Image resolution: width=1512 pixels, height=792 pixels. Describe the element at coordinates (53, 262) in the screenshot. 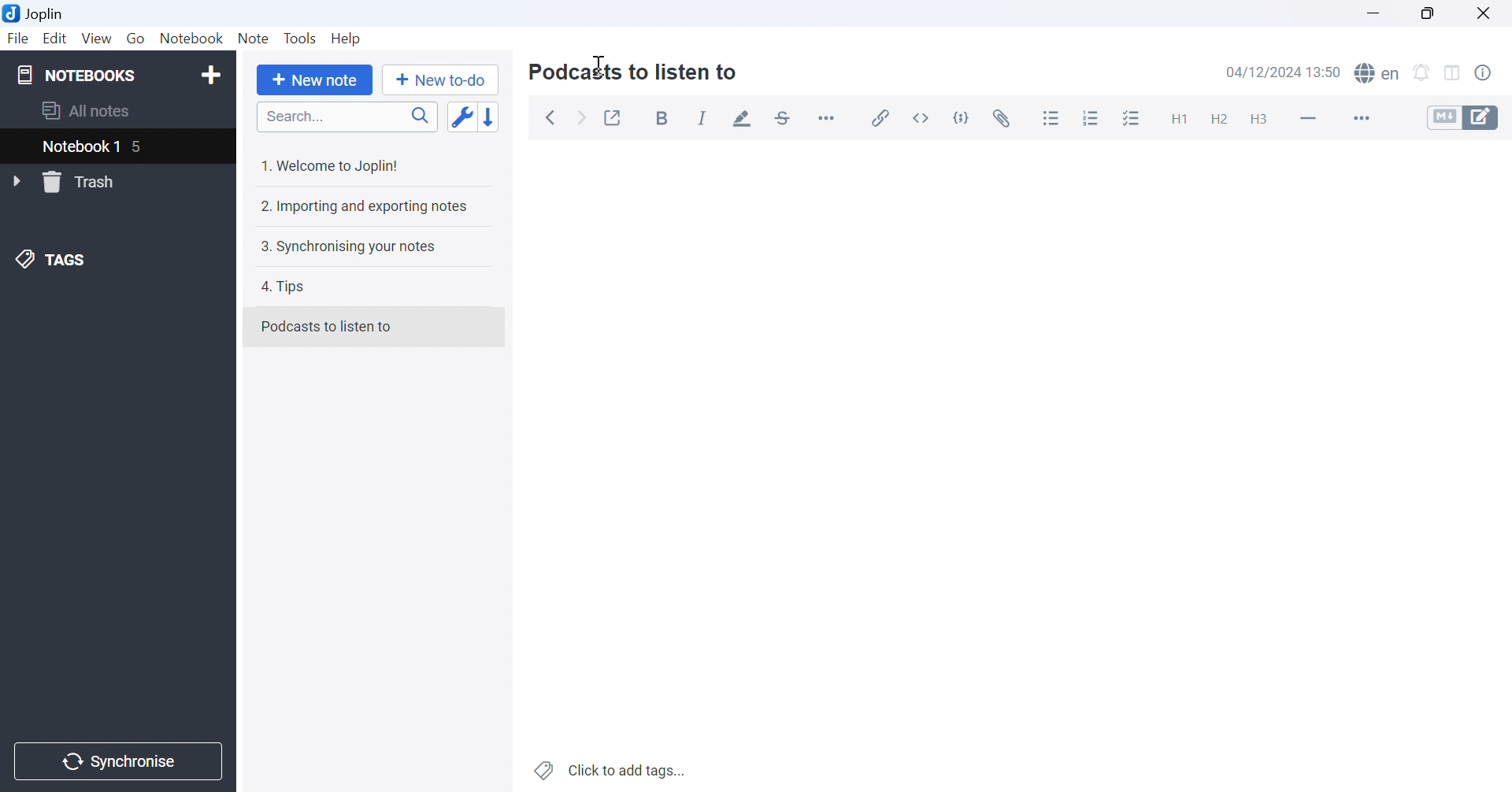

I see `TAGS` at that location.